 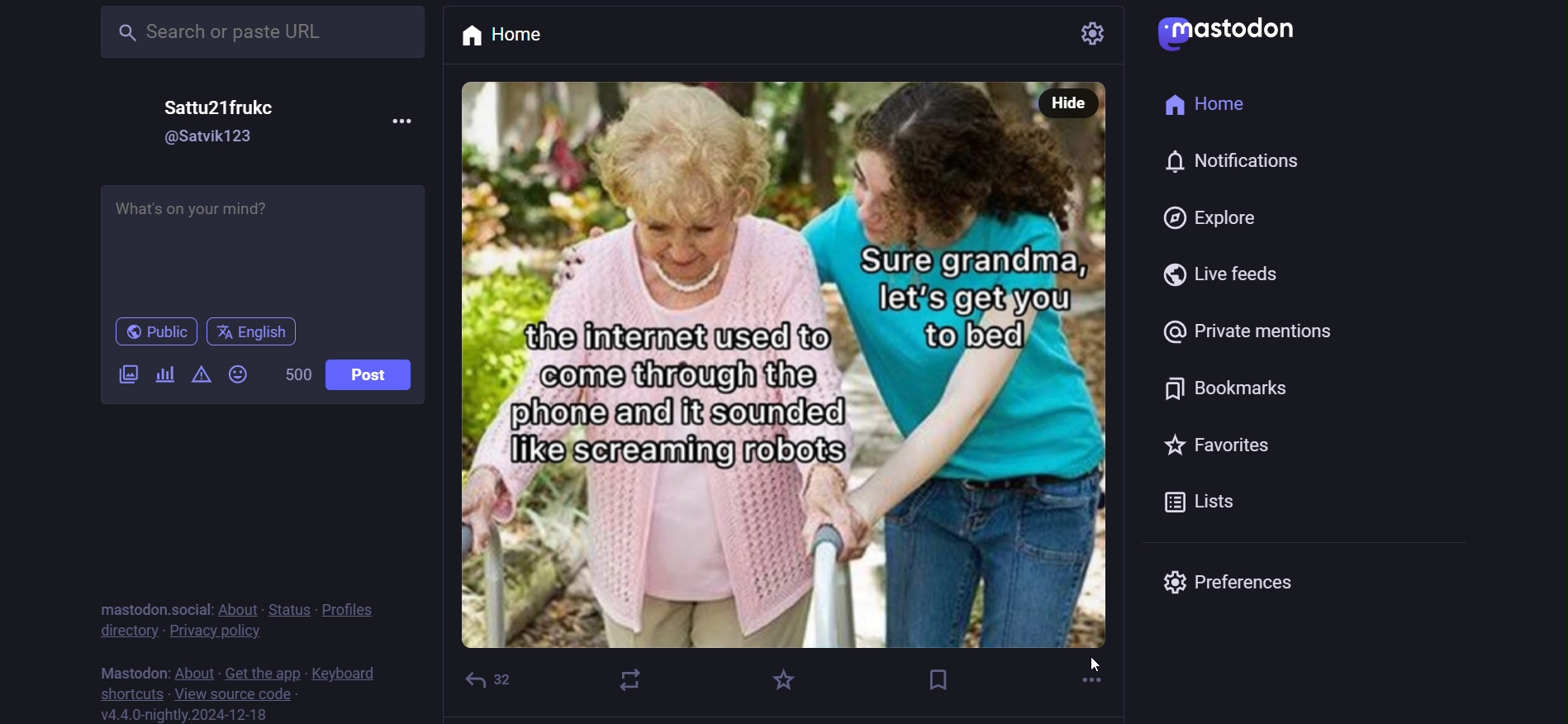 I want to click on post here, so click(x=262, y=245).